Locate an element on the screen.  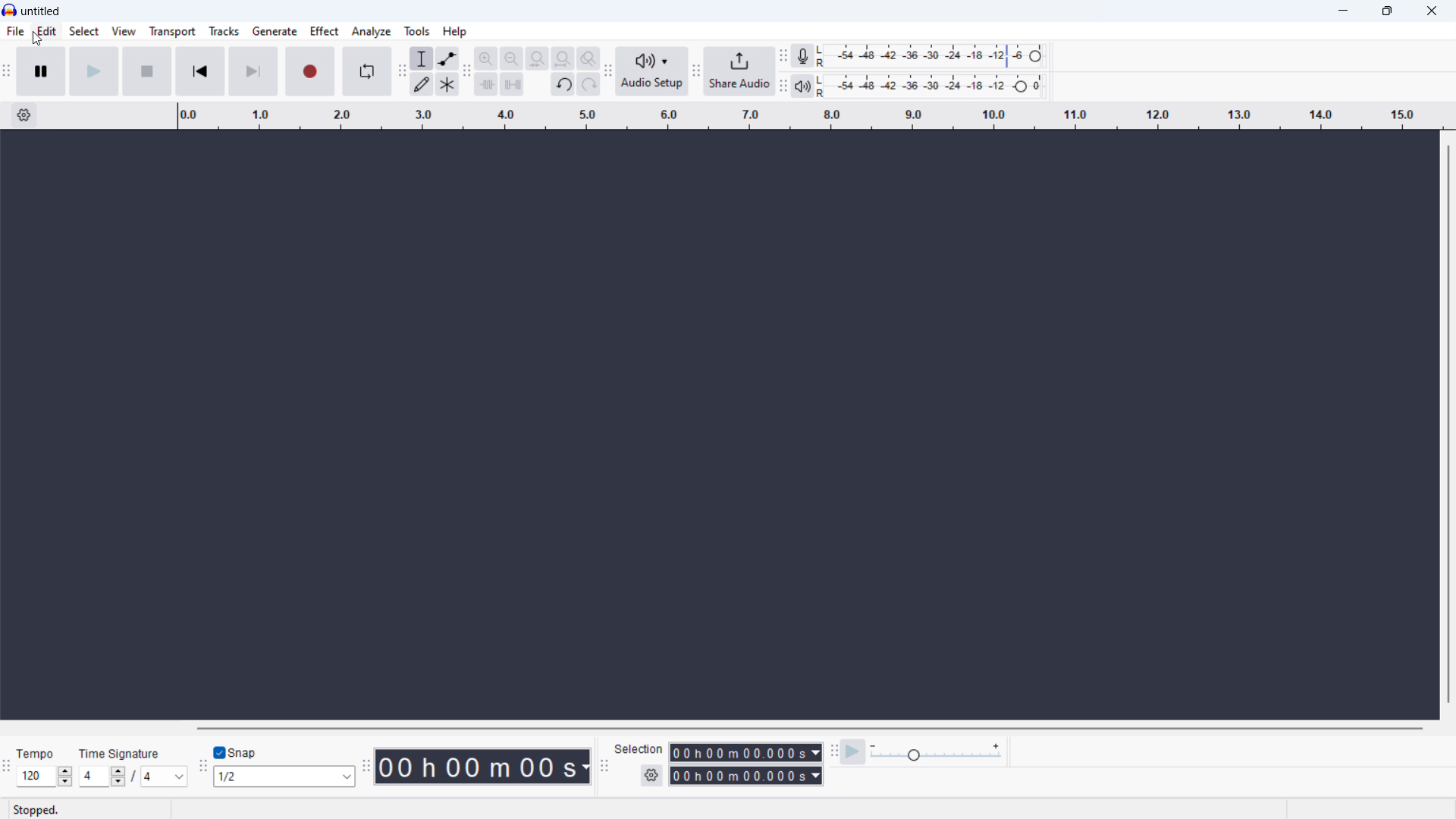
generate is located at coordinates (275, 31).